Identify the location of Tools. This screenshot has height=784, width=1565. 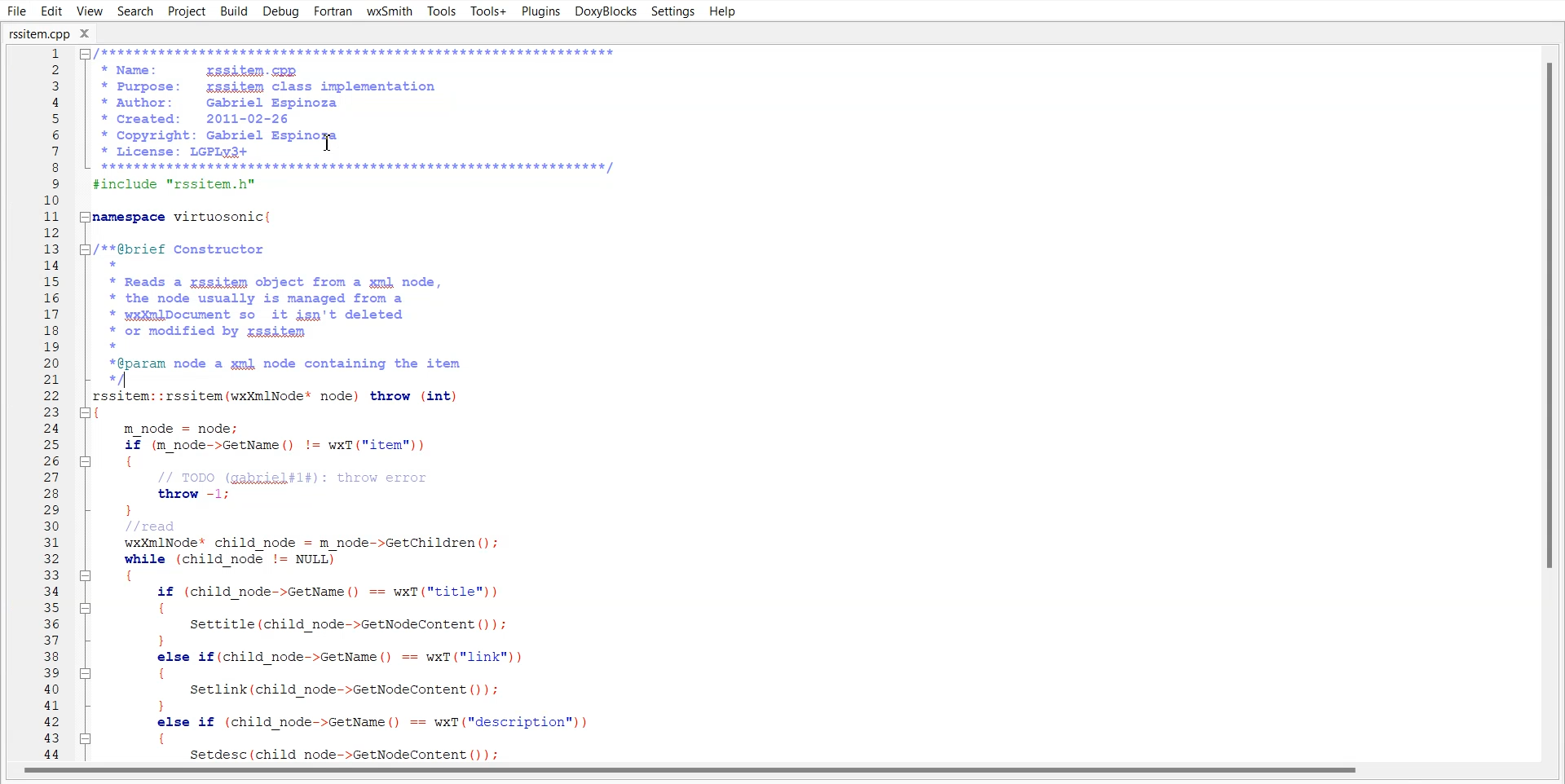
(441, 12).